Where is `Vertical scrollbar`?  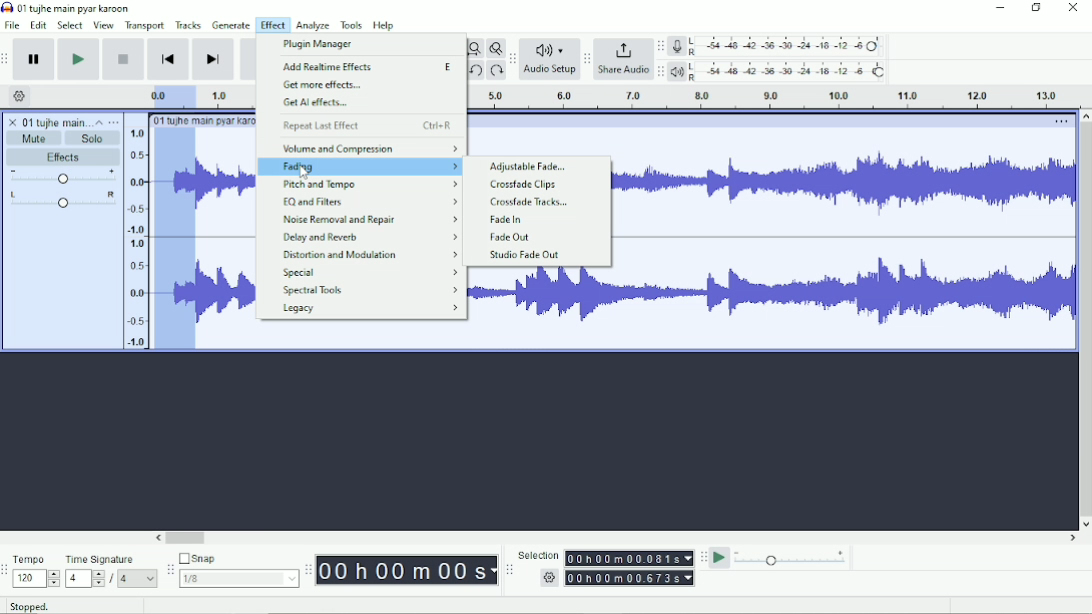 Vertical scrollbar is located at coordinates (1084, 320).